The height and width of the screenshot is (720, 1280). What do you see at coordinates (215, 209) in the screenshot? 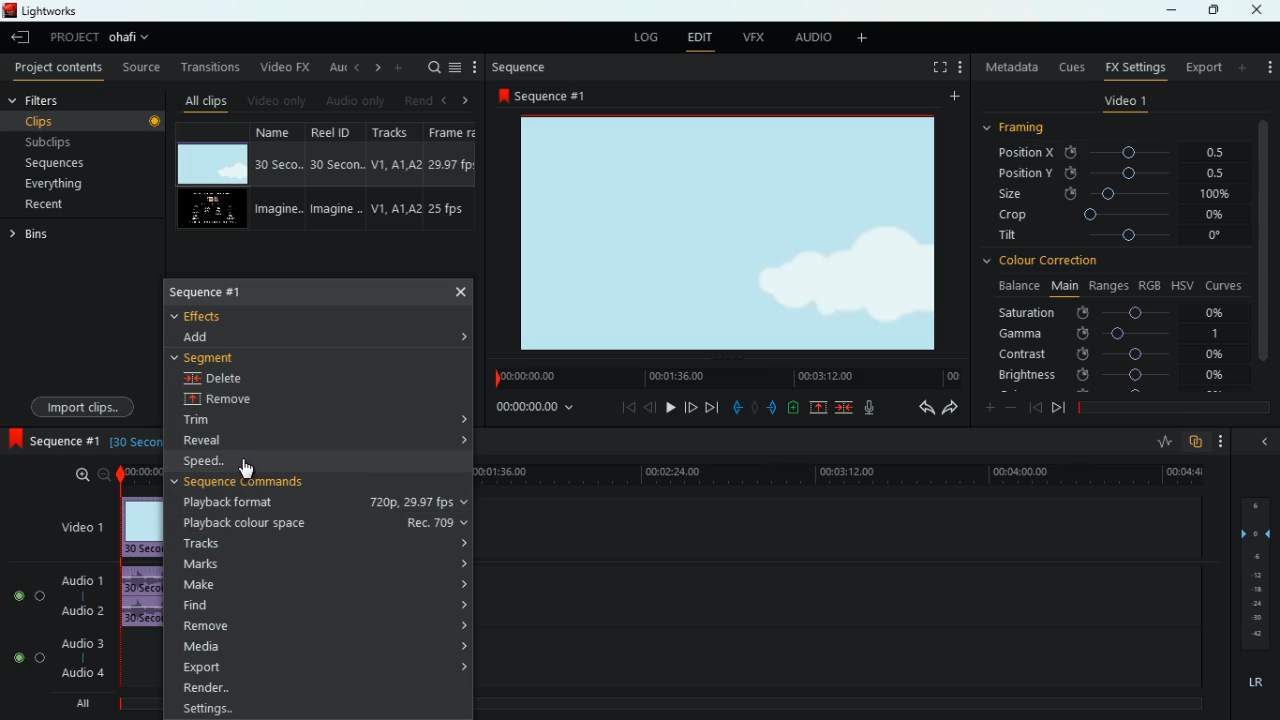
I see `video` at bounding box center [215, 209].